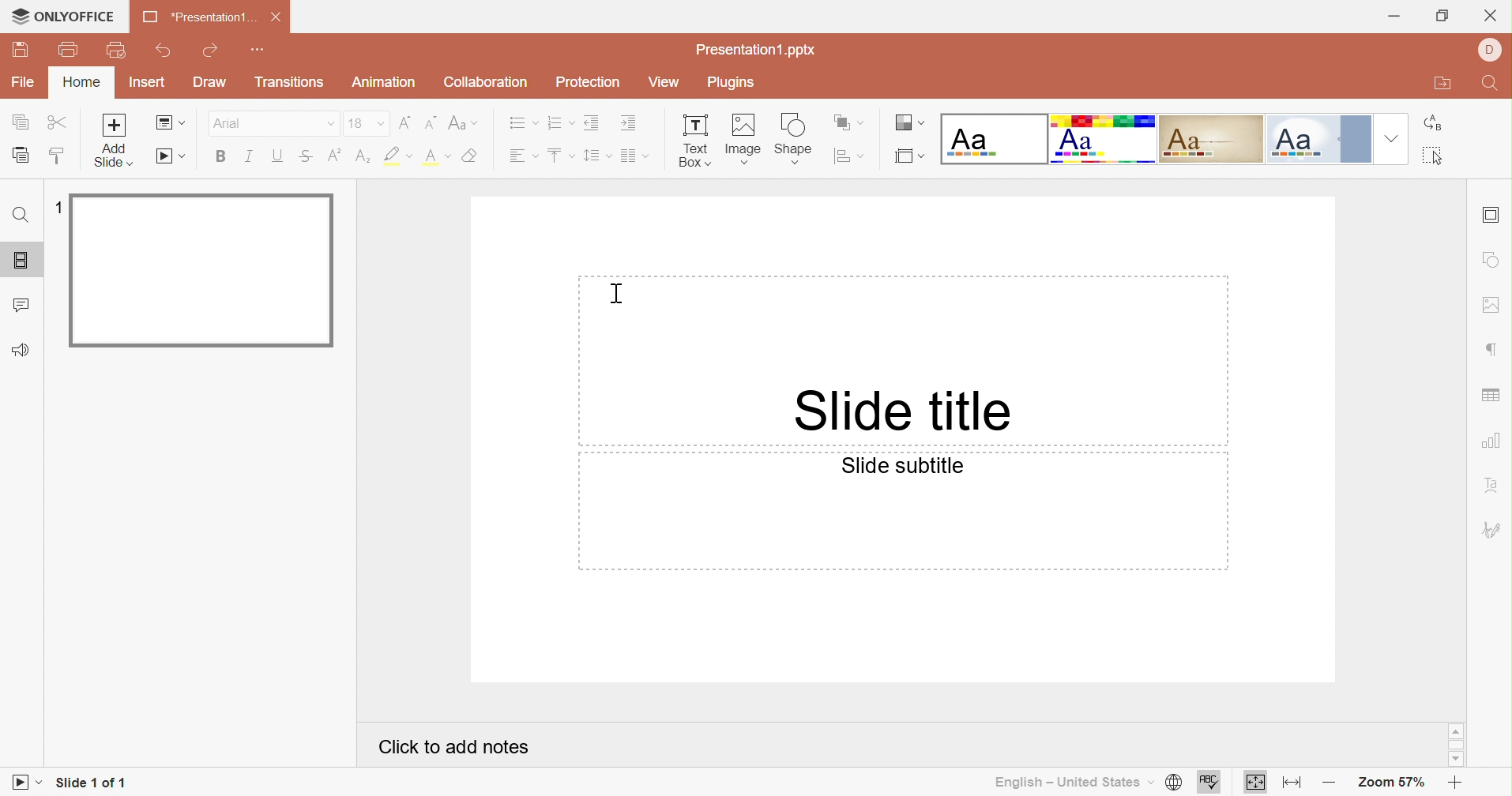  What do you see at coordinates (389, 84) in the screenshot?
I see `Animation` at bounding box center [389, 84].